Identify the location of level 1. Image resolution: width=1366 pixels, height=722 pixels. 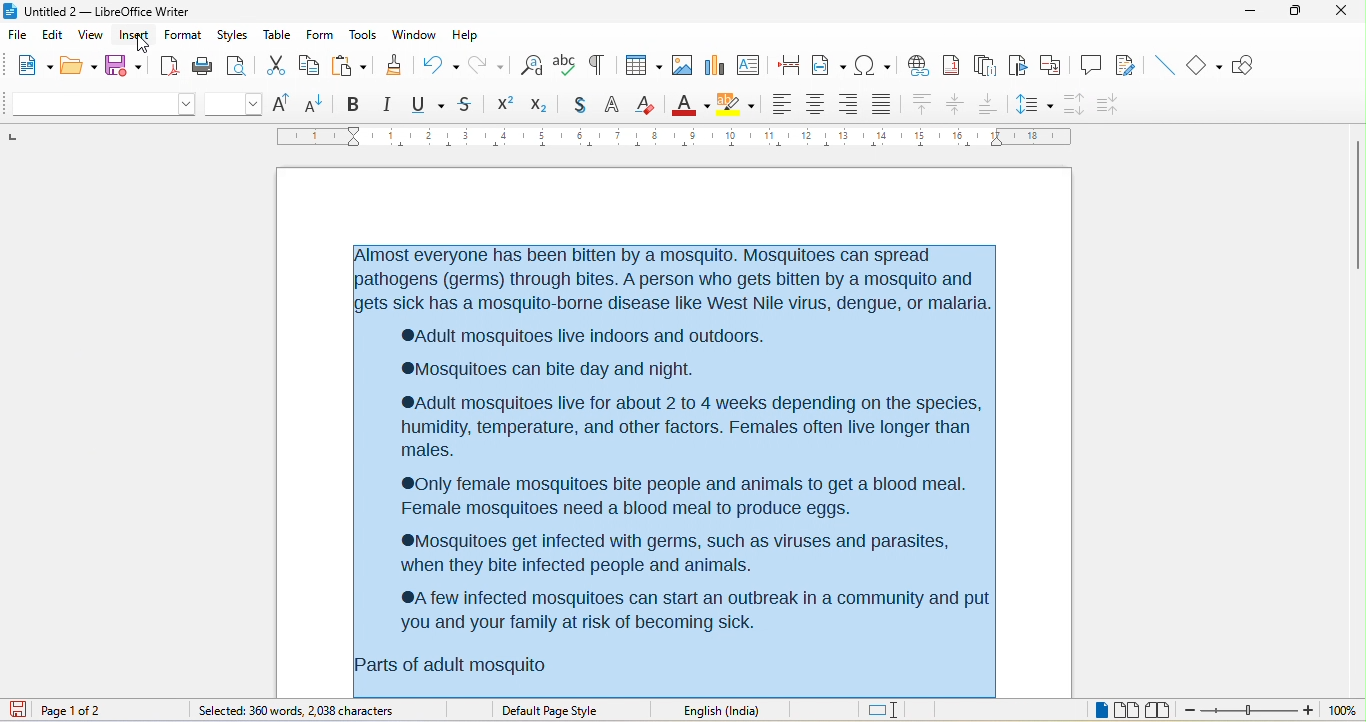
(1023, 712).